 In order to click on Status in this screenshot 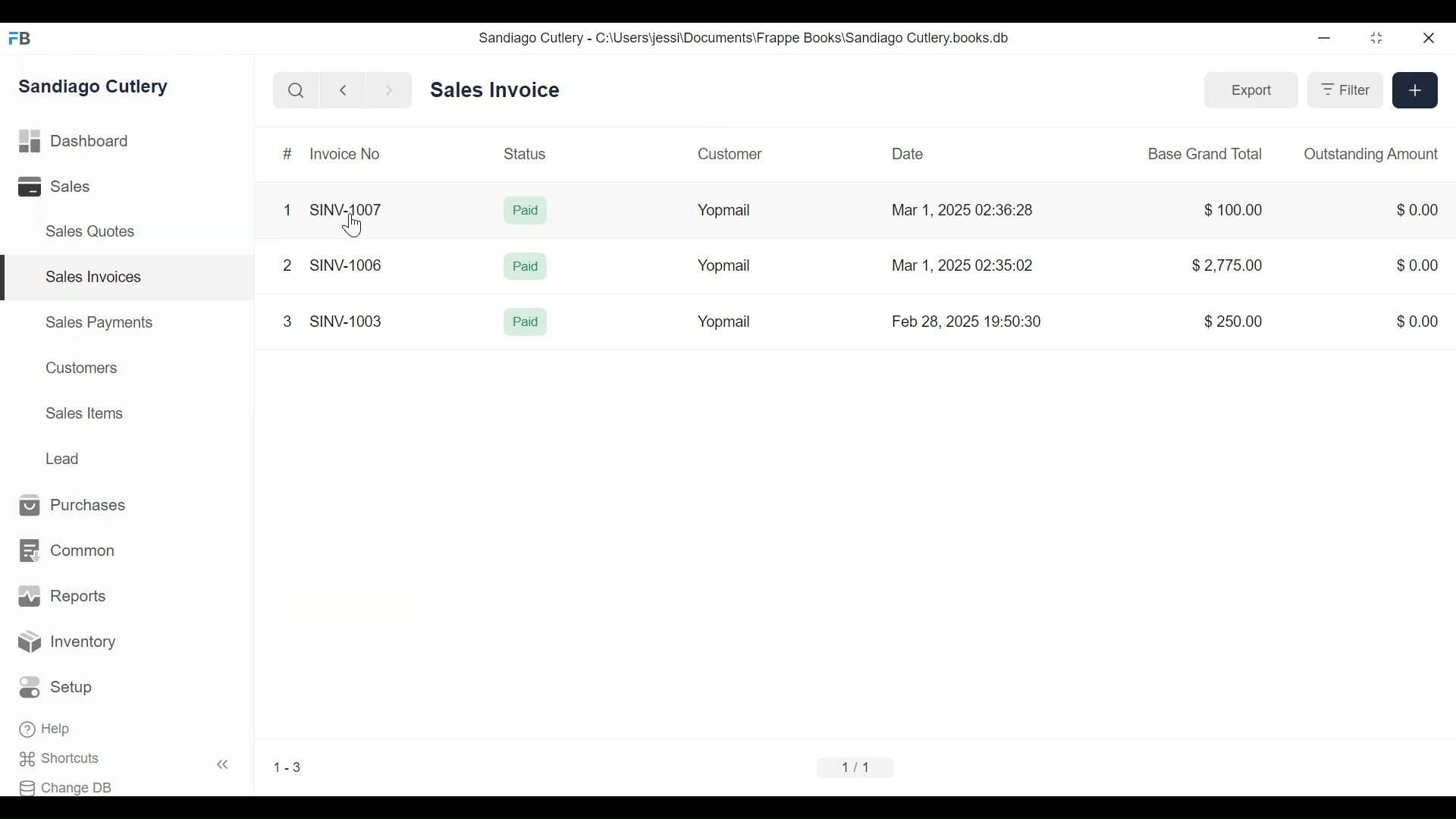, I will do `click(525, 154)`.